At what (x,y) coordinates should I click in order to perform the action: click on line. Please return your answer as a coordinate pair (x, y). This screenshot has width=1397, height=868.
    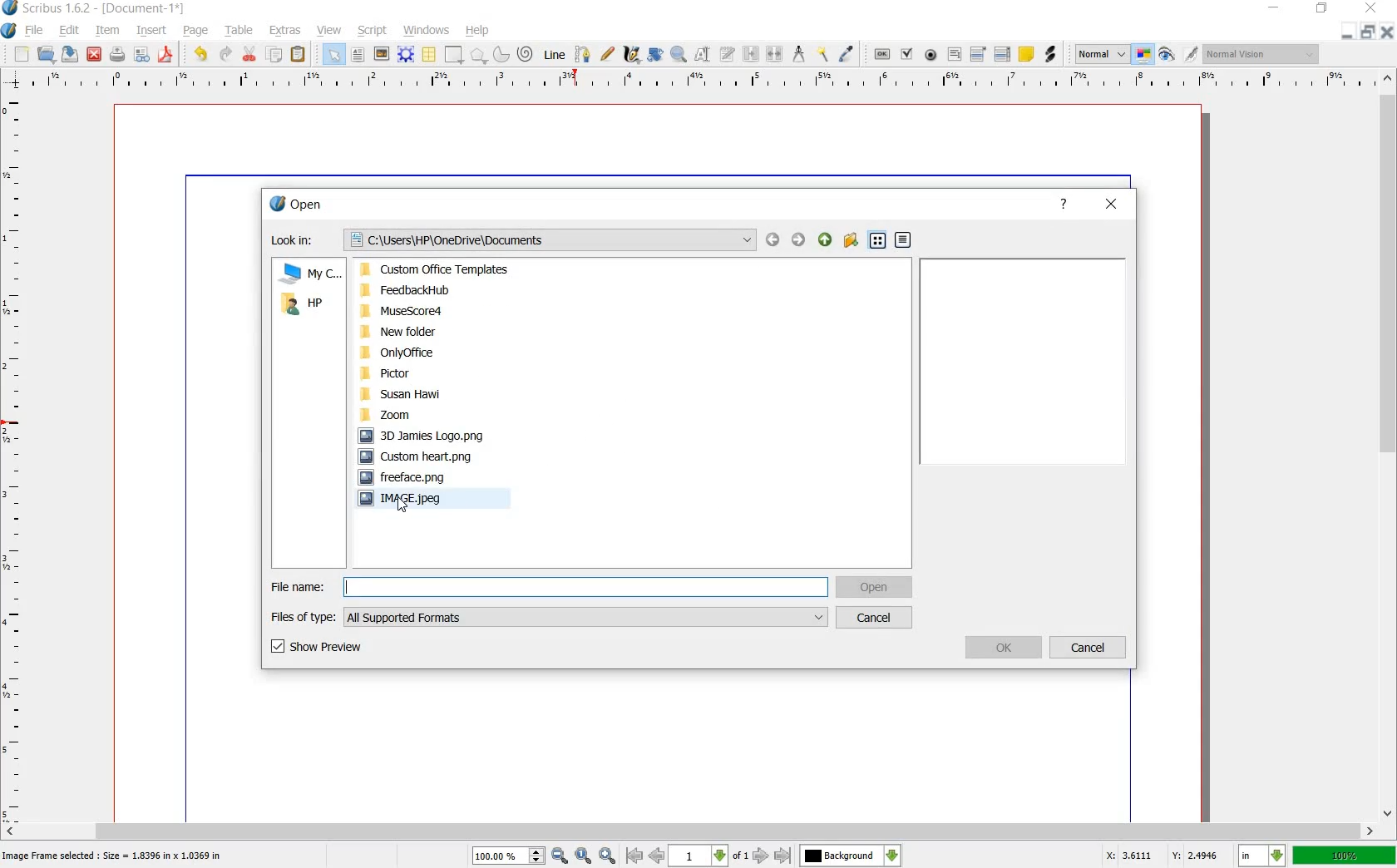
    Looking at the image, I should click on (554, 55).